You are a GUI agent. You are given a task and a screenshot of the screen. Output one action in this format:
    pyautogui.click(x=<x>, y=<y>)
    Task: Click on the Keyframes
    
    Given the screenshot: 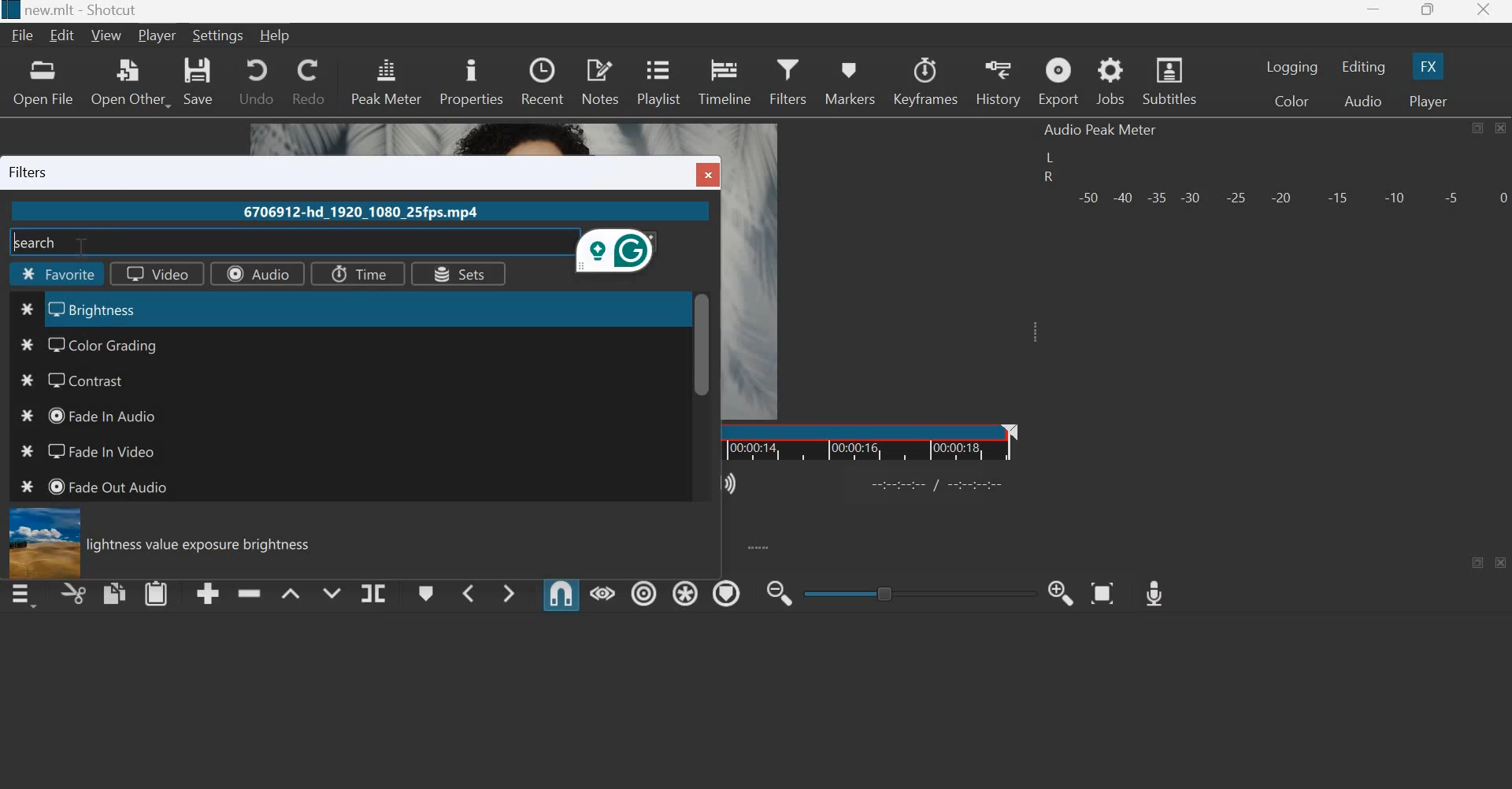 What is the action you would take?
    pyautogui.click(x=926, y=81)
    